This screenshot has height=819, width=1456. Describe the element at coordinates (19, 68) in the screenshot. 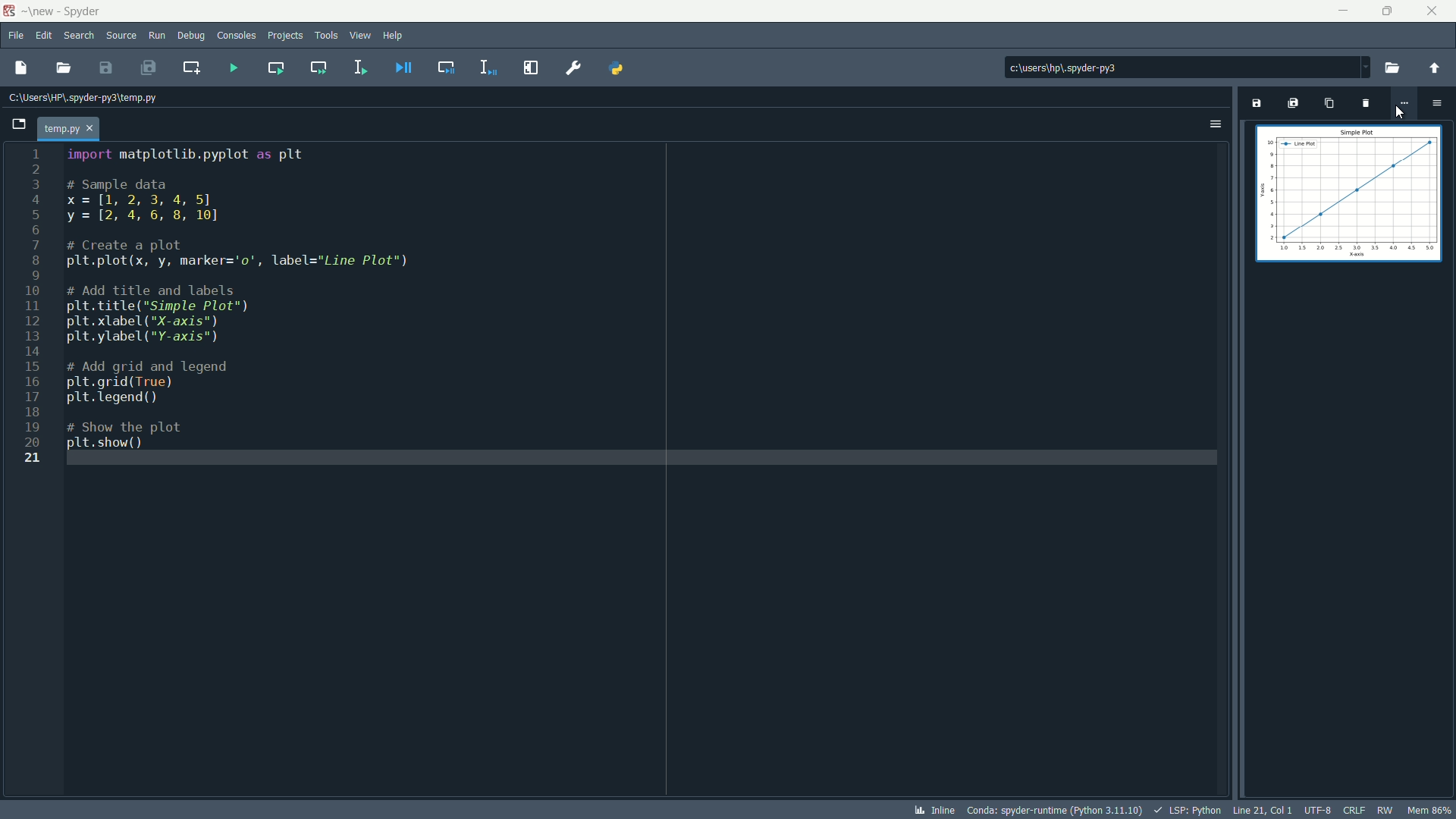

I see `save file` at that location.